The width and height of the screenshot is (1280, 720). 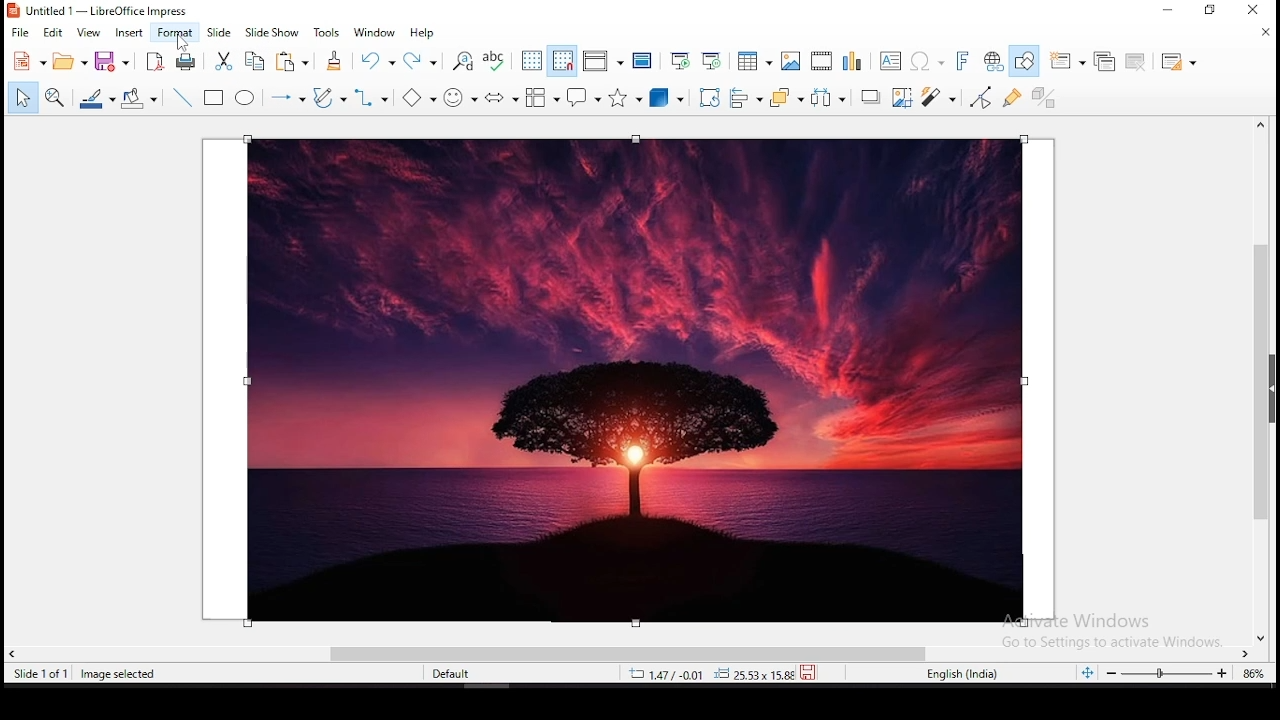 I want to click on insert line, so click(x=181, y=97).